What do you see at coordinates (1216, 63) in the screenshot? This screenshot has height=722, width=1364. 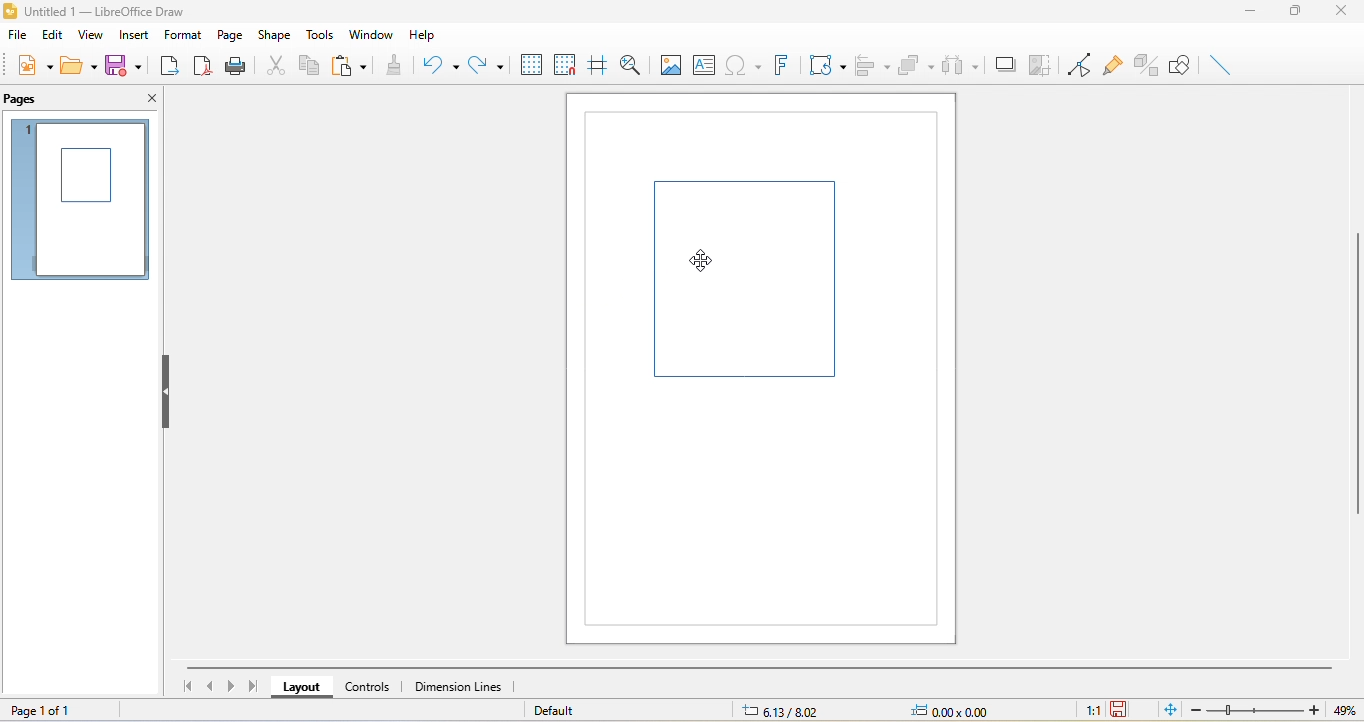 I see `insert line` at bounding box center [1216, 63].